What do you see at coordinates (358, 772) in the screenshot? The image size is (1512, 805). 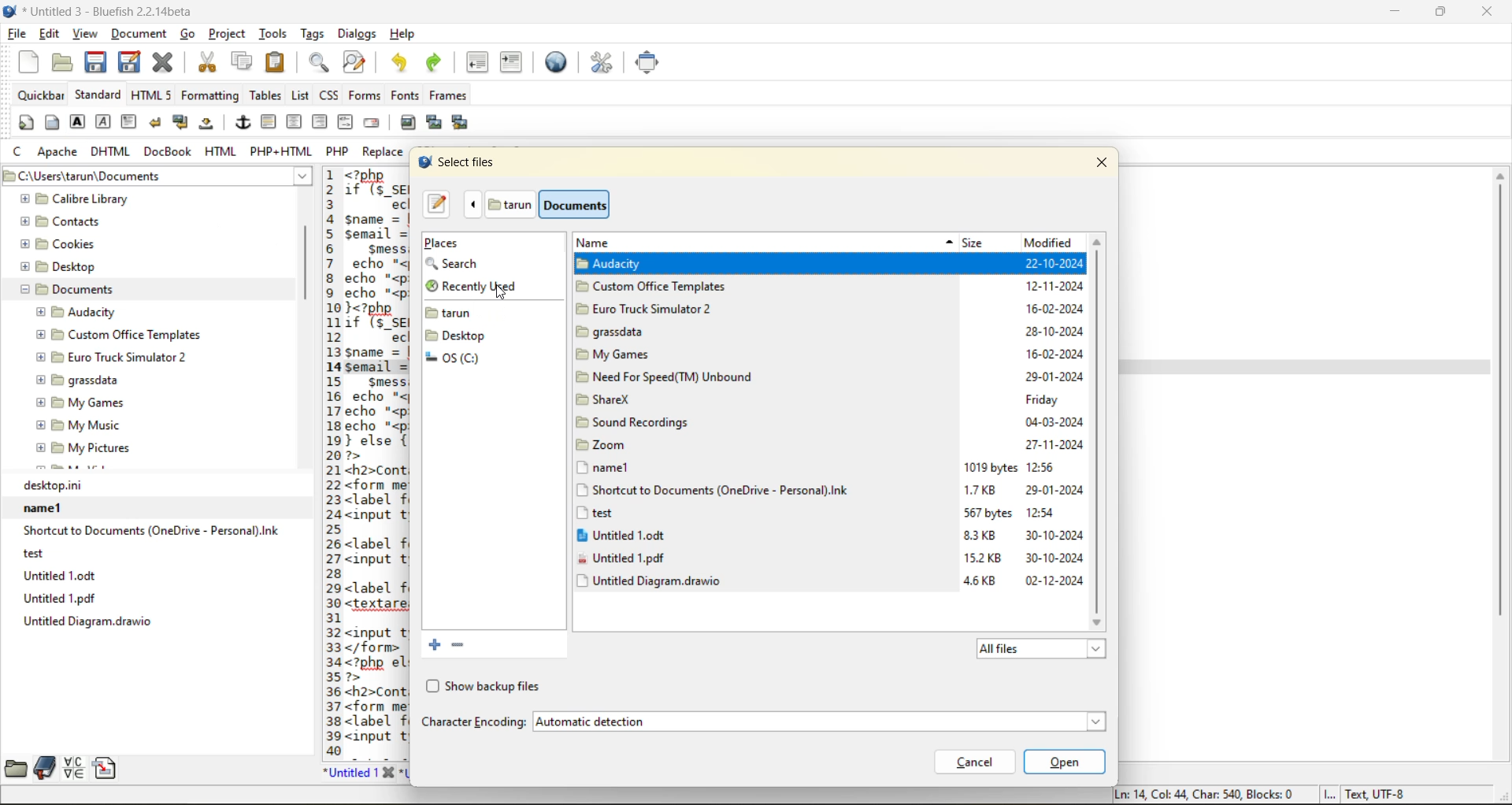 I see `untitled 1 tab` at bounding box center [358, 772].